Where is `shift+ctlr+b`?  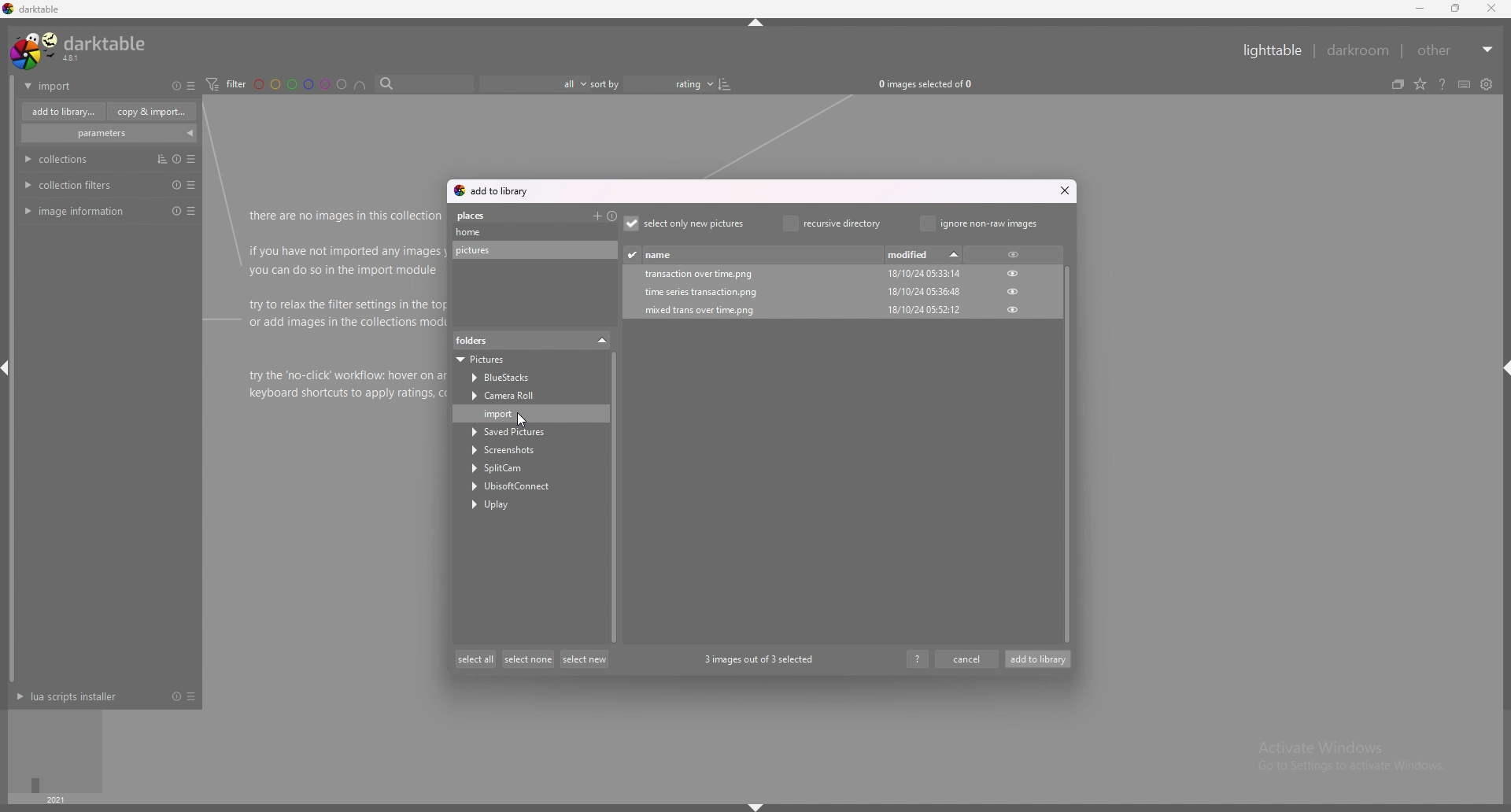
shift+ctlr+b is located at coordinates (756, 806).